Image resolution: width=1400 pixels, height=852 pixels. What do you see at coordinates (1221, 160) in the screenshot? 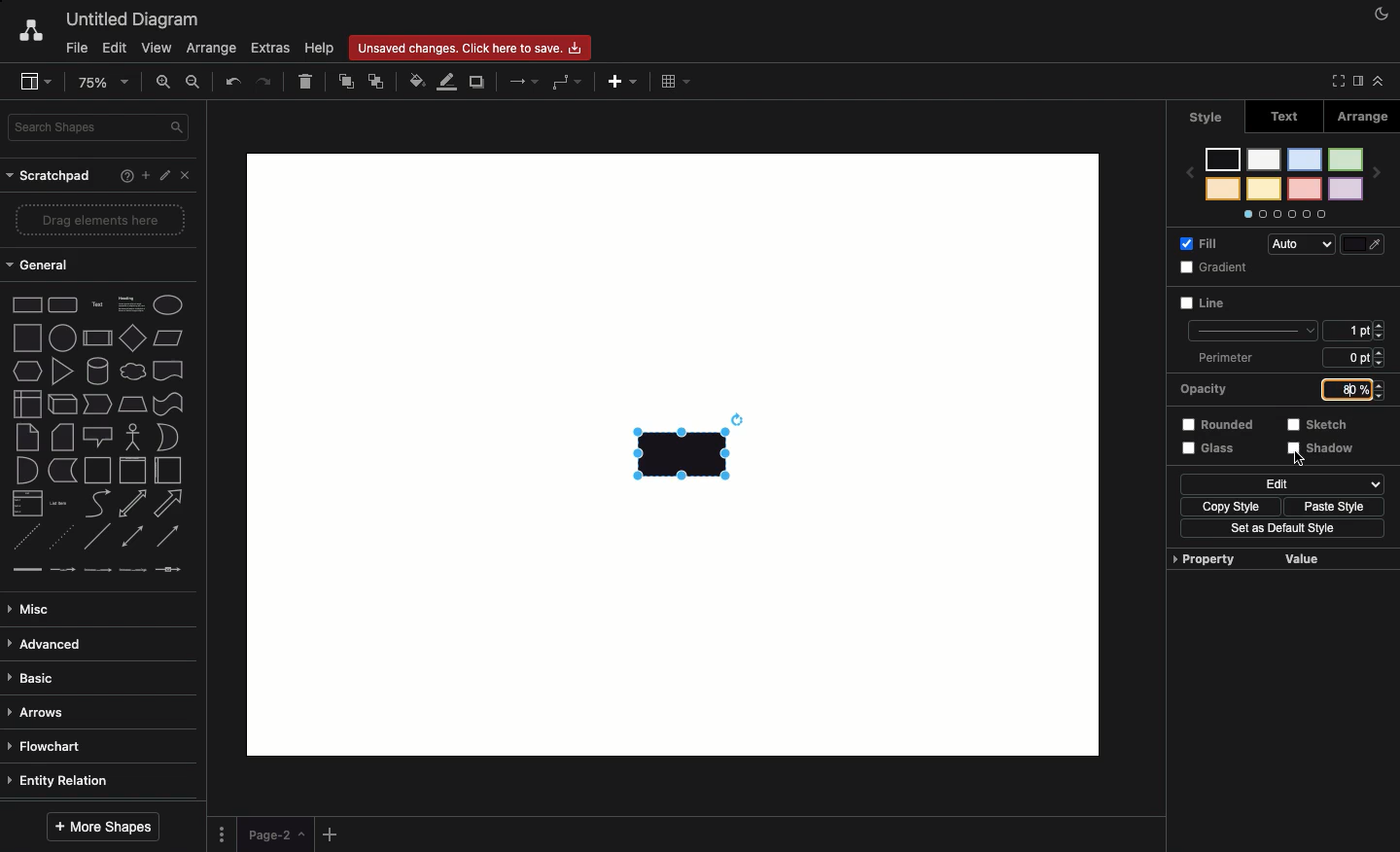
I see `color 7` at bounding box center [1221, 160].